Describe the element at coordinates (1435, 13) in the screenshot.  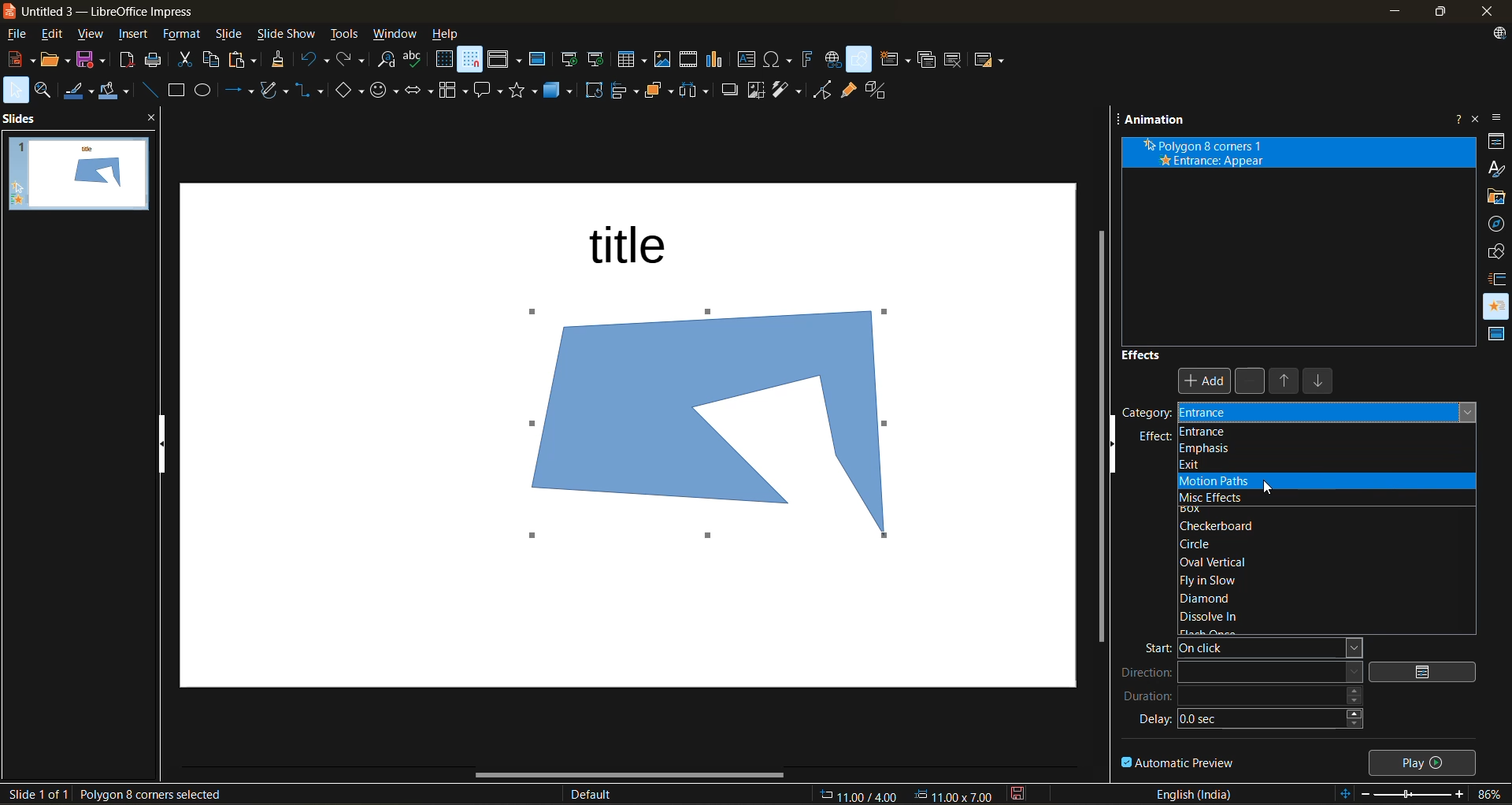
I see `maximize` at that location.